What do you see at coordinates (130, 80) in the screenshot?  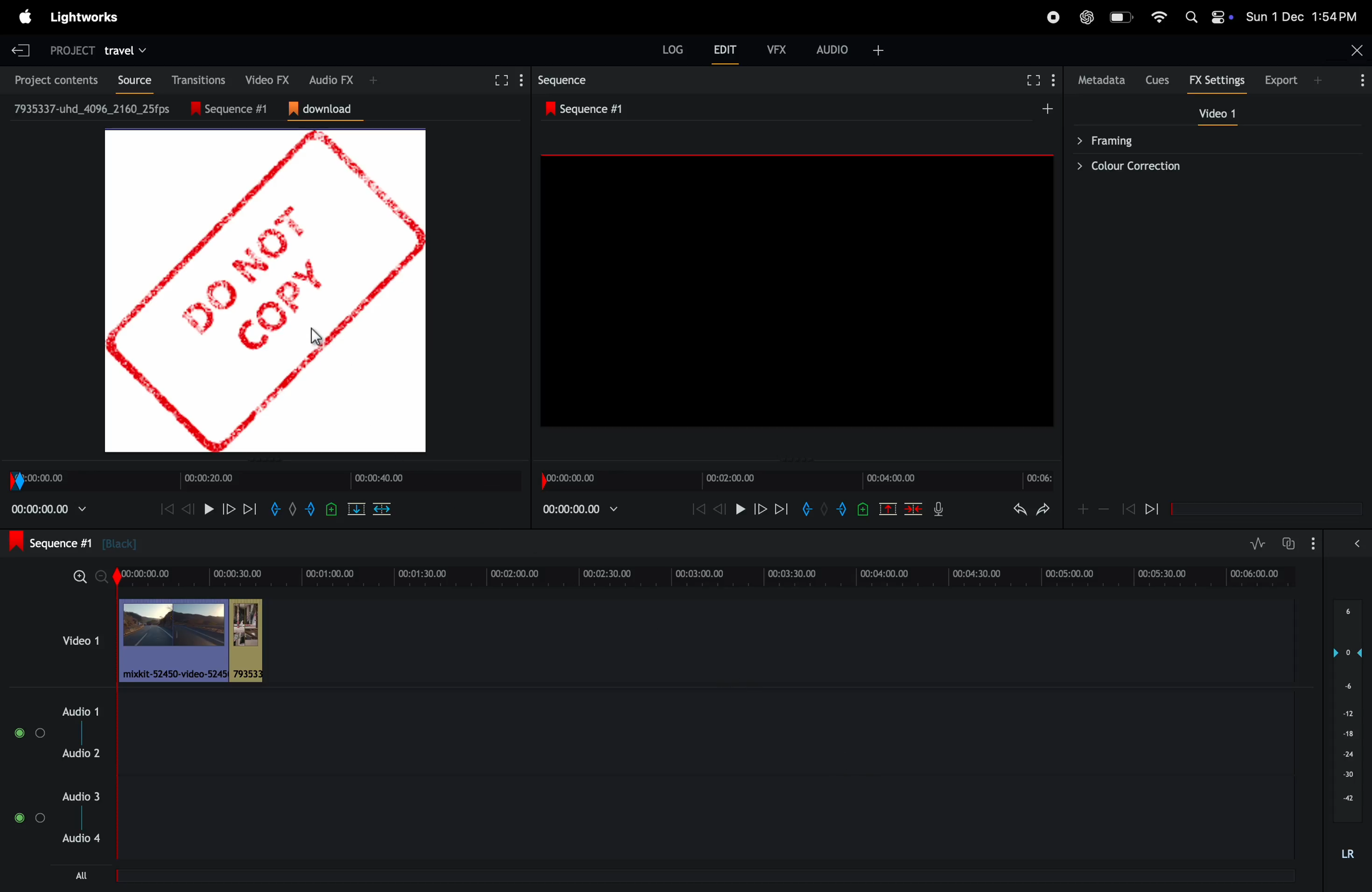 I see `source` at bounding box center [130, 80].